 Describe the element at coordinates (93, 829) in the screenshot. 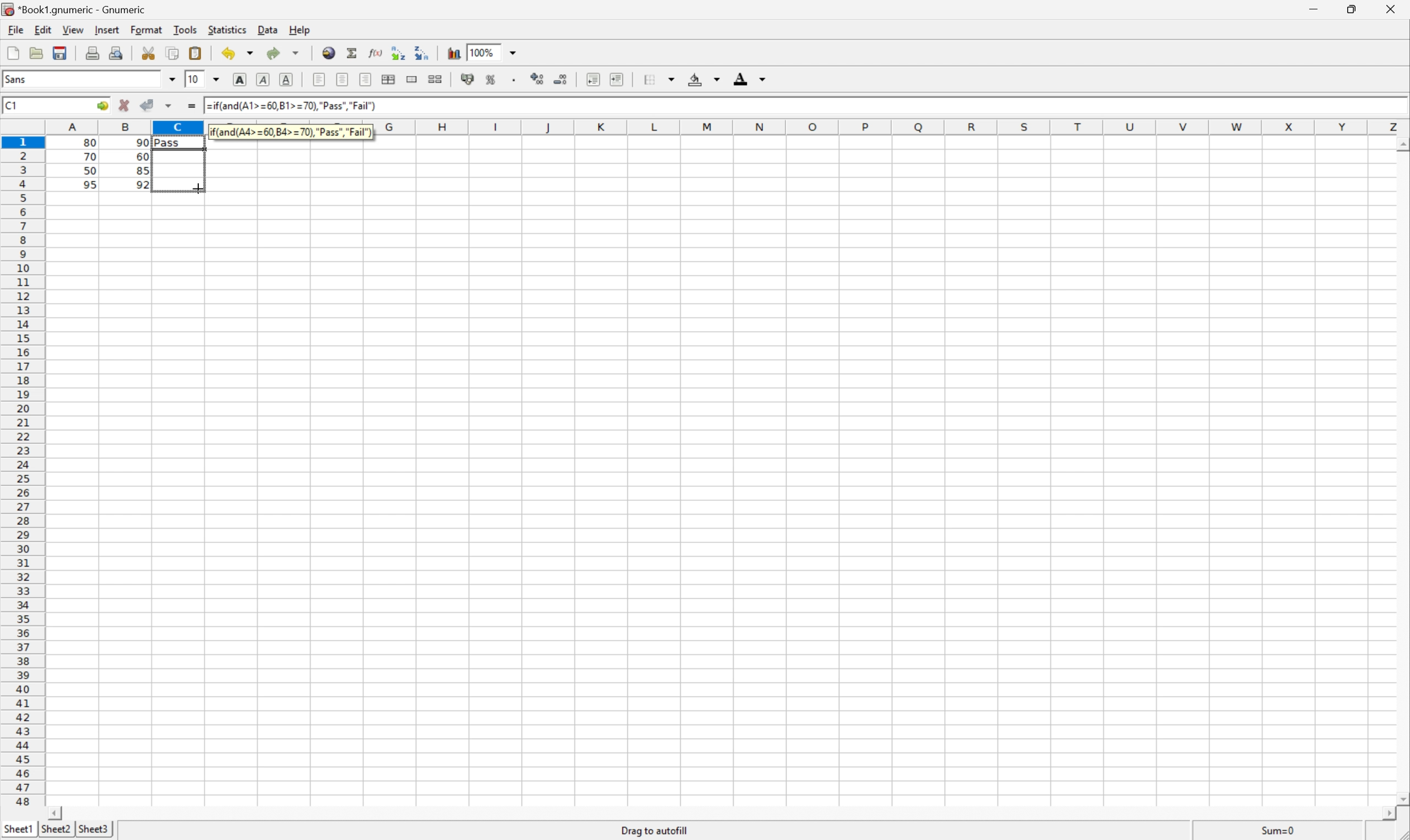

I see `Sheet3` at that location.